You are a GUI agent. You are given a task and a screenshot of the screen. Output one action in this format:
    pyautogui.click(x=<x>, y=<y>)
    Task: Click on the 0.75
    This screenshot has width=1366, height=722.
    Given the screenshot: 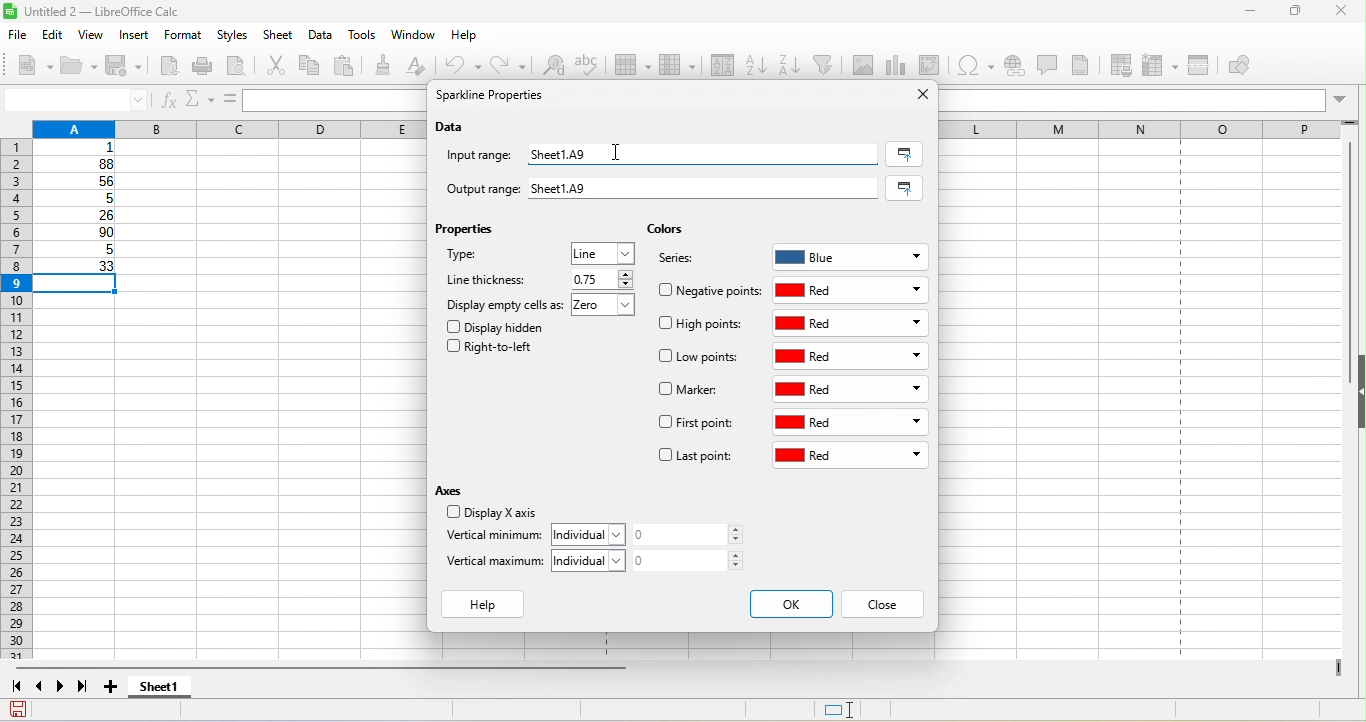 What is the action you would take?
    pyautogui.click(x=600, y=279)
    